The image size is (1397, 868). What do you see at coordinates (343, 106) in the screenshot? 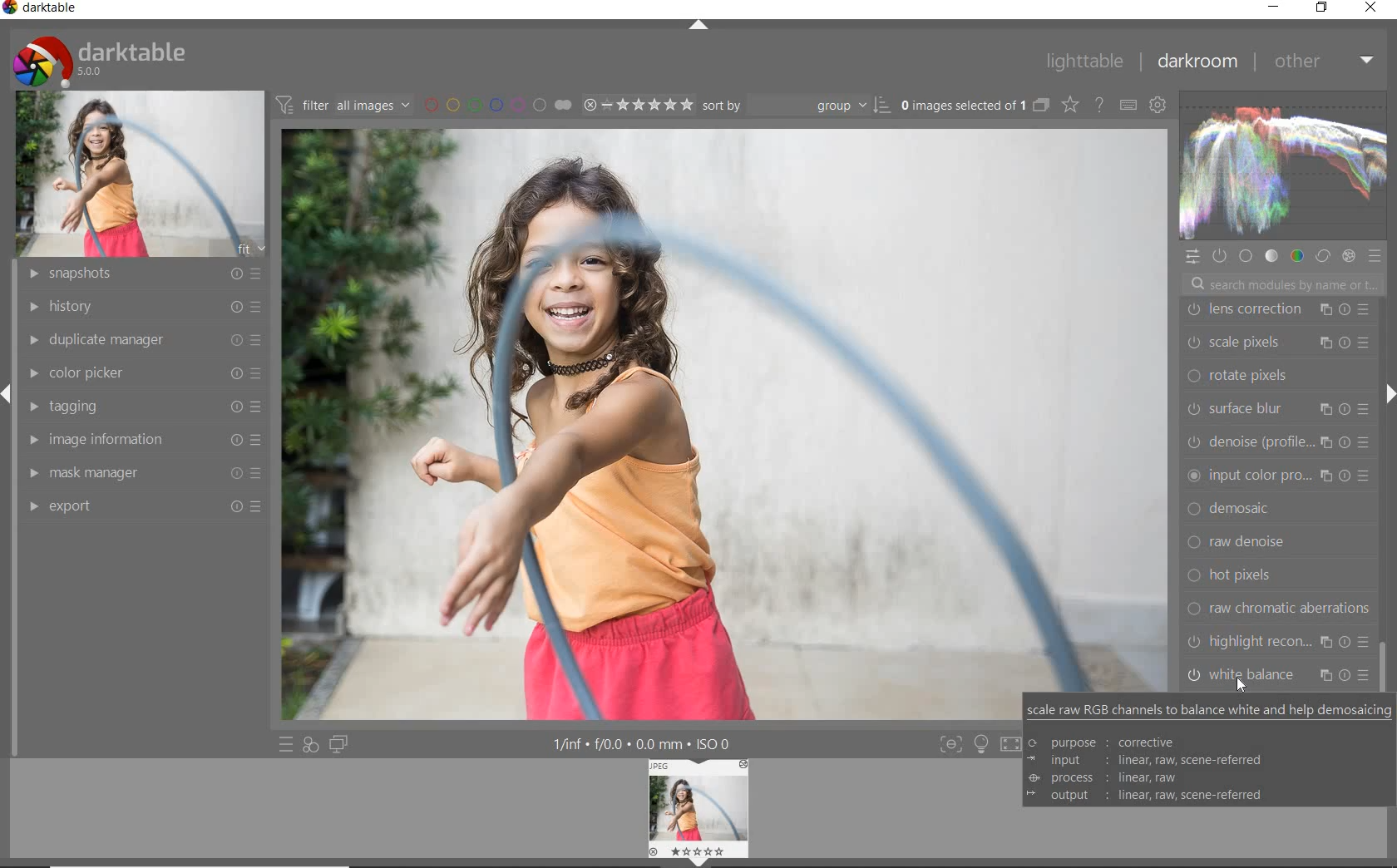
I see `filter images` at bounding box center [343, 106].